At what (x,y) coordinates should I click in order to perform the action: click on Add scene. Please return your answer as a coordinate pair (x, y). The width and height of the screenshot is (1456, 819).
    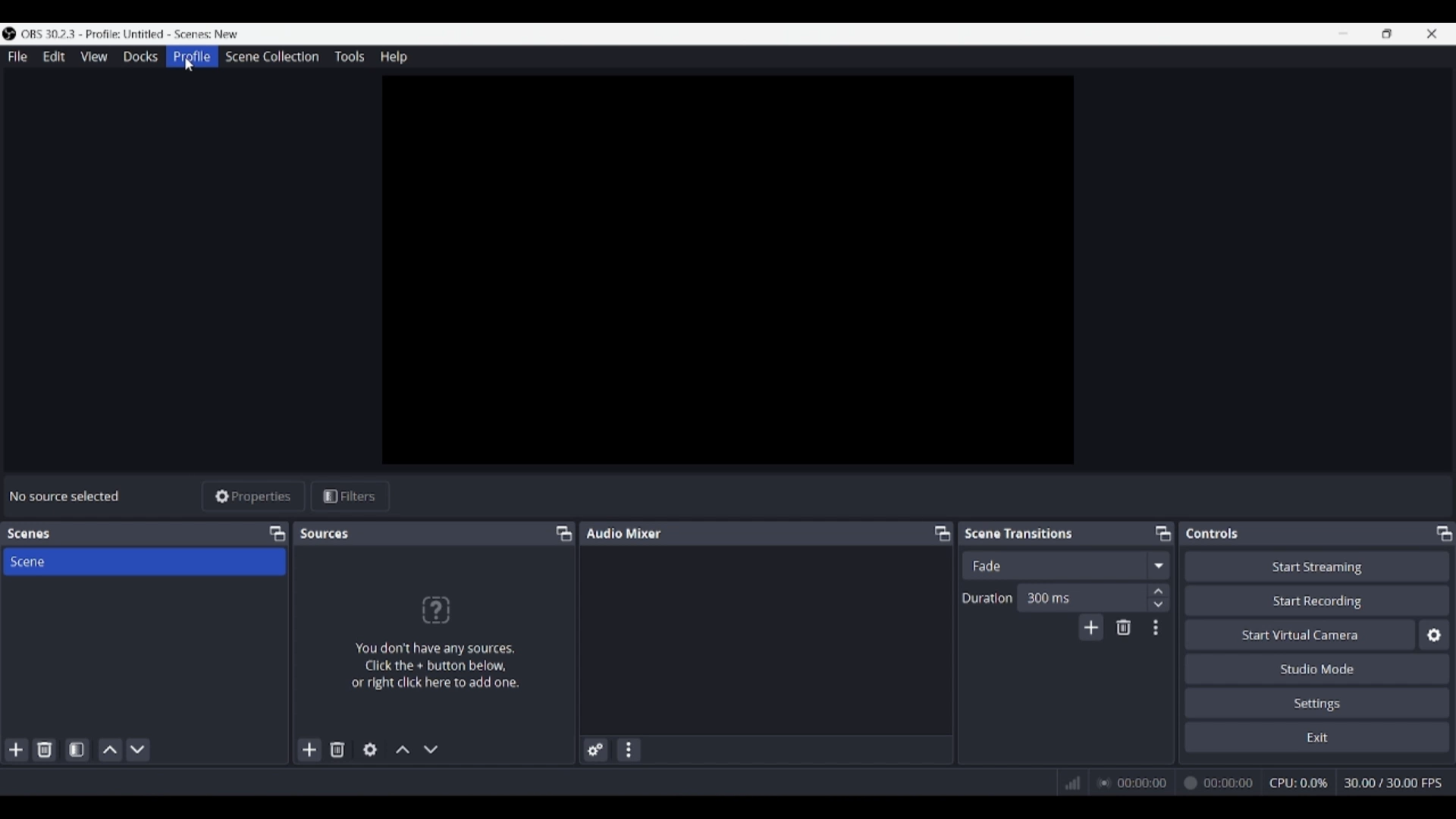
    Looking at the image, I should click on (17, 750).